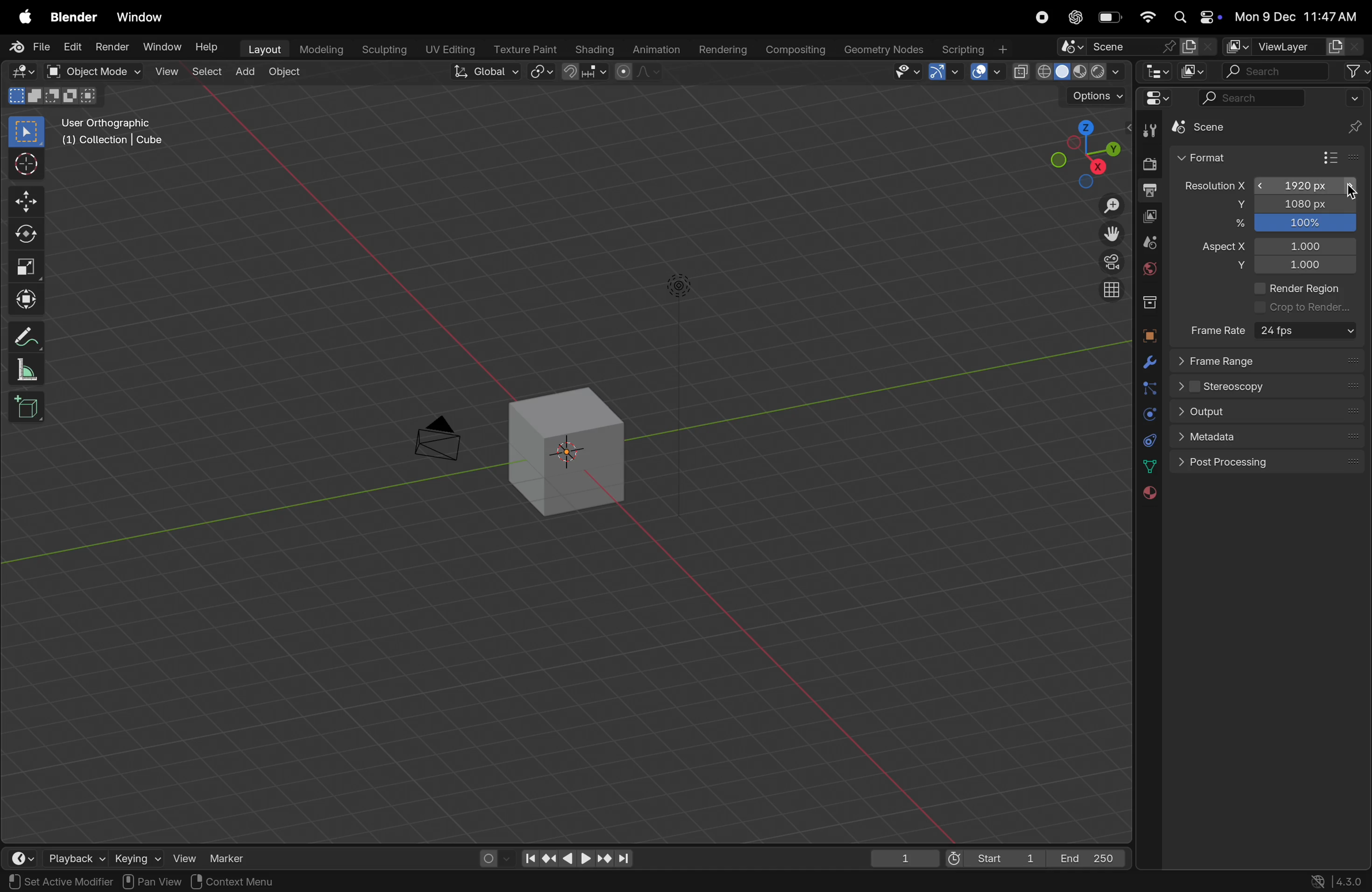 The width and height of the screenshot is (1372, 892). Describe the element at coordinates (1156, 71) in the screenshot. I see `editor type` at that location.